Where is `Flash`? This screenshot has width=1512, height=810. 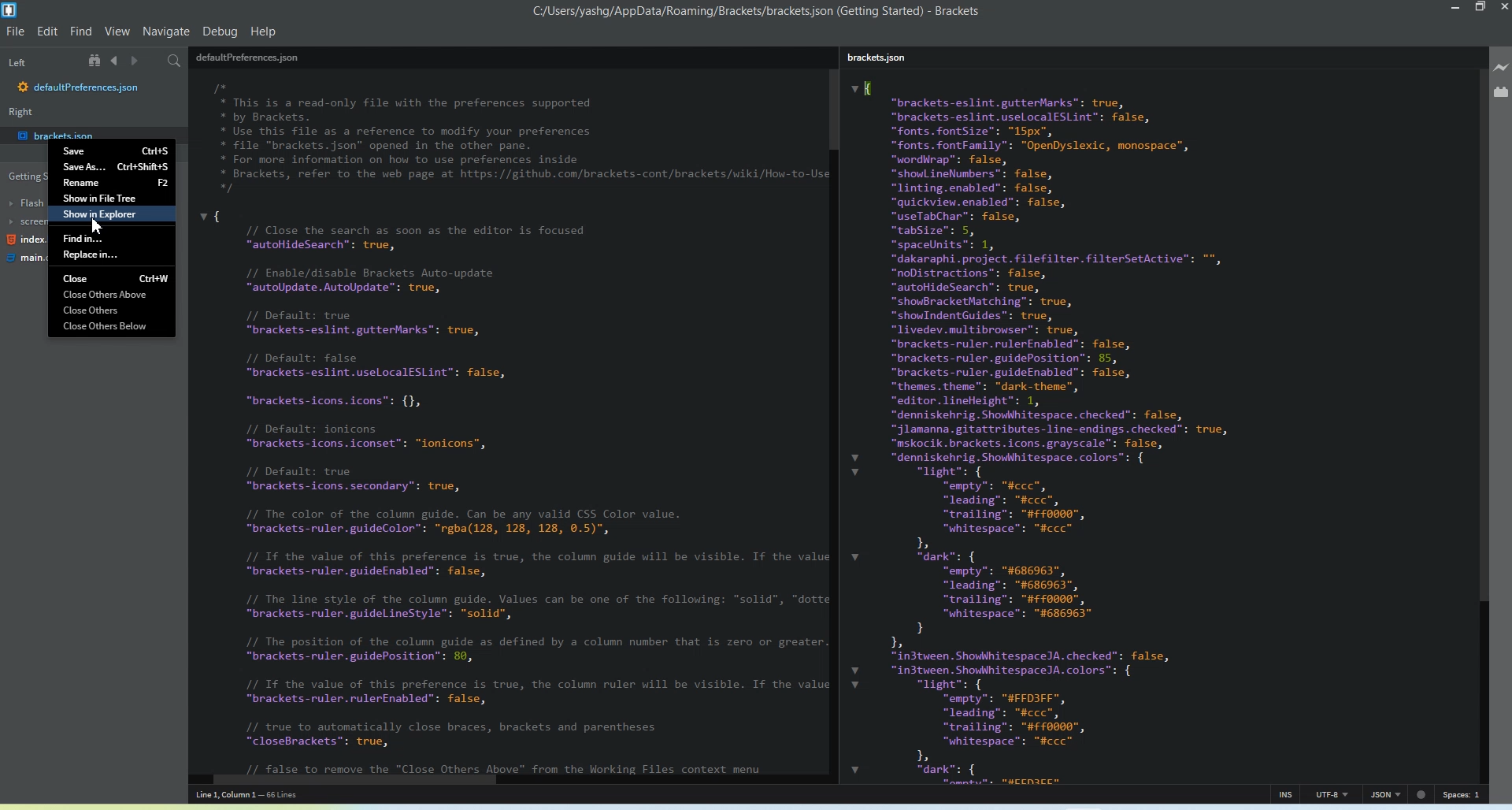 Flash is located at coordinates (24, 202).